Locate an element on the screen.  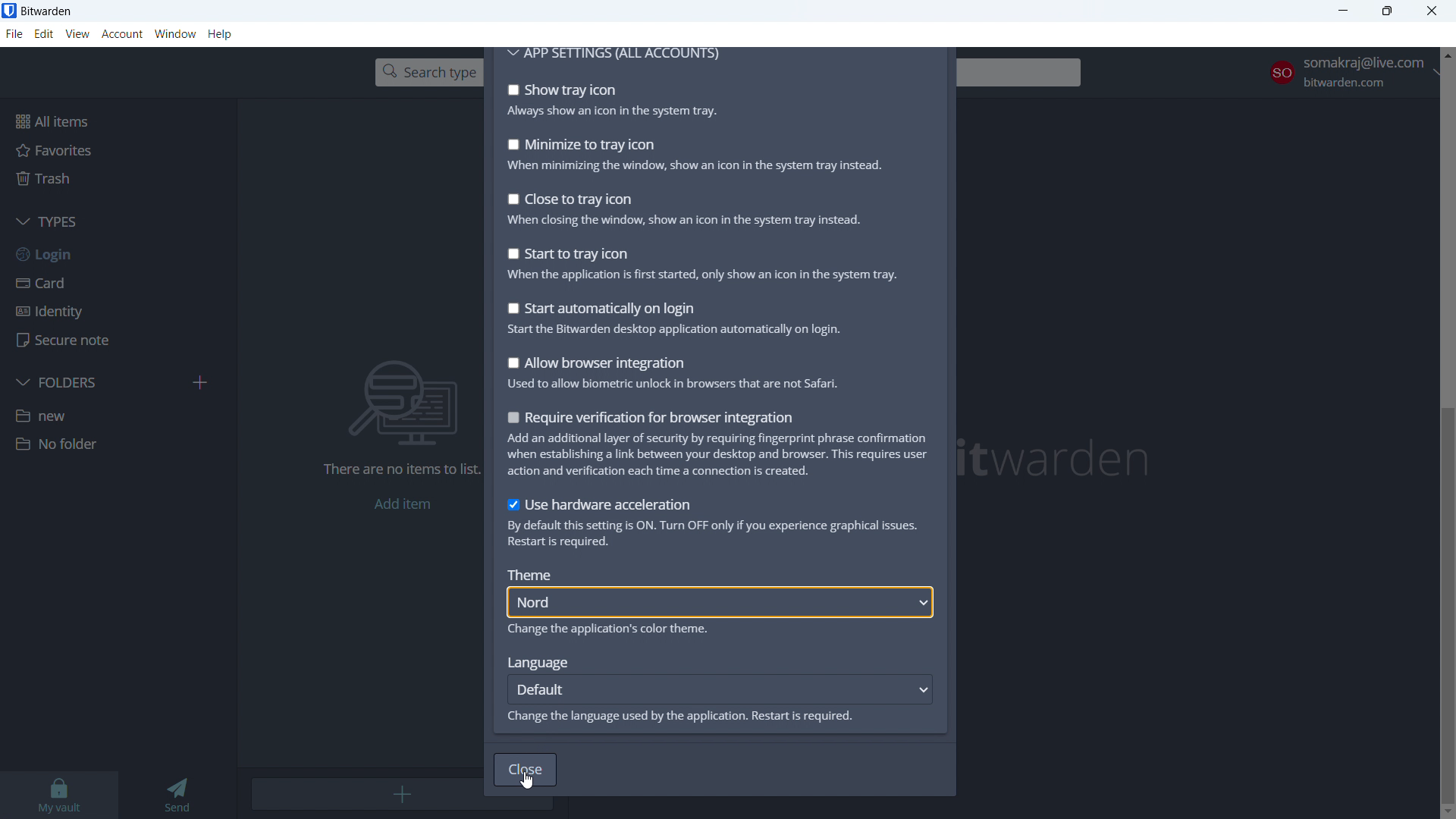
show tray icon is located at coordinates (712, 99).